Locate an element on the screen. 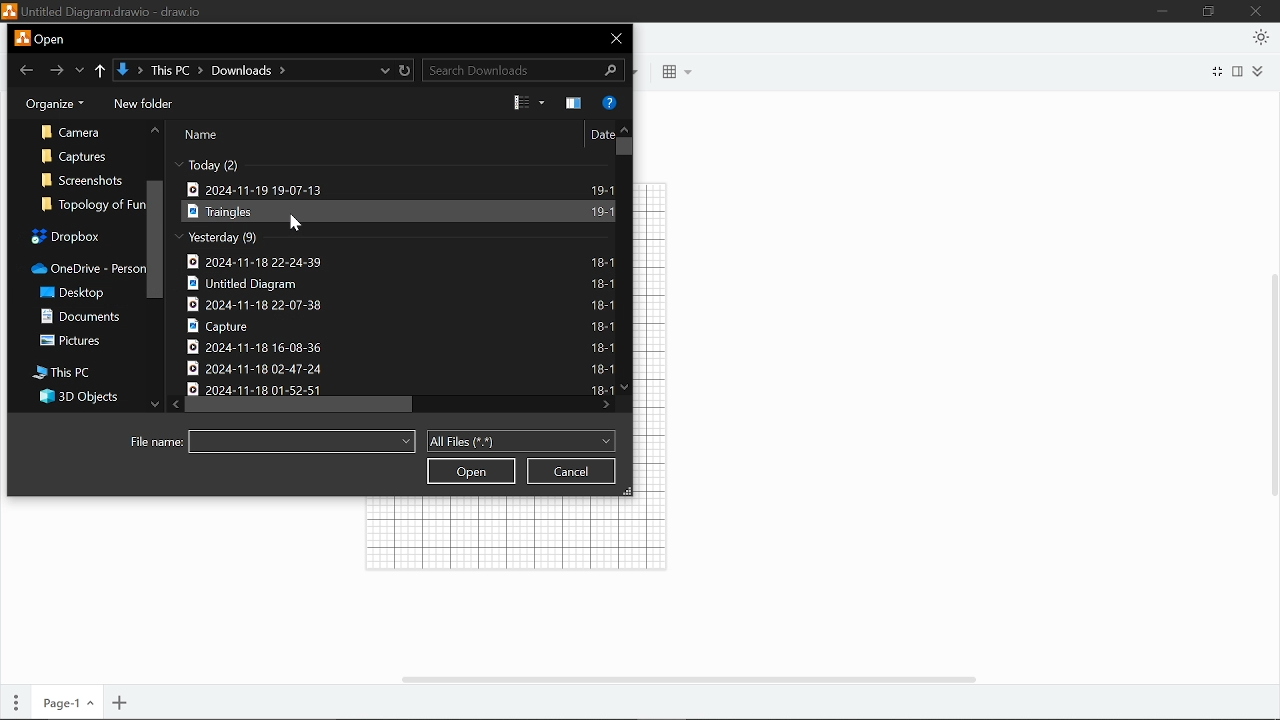 Image resolution: width=1280 pixels, height=720 pixels. Desktop is located at coordinates (75, 293).